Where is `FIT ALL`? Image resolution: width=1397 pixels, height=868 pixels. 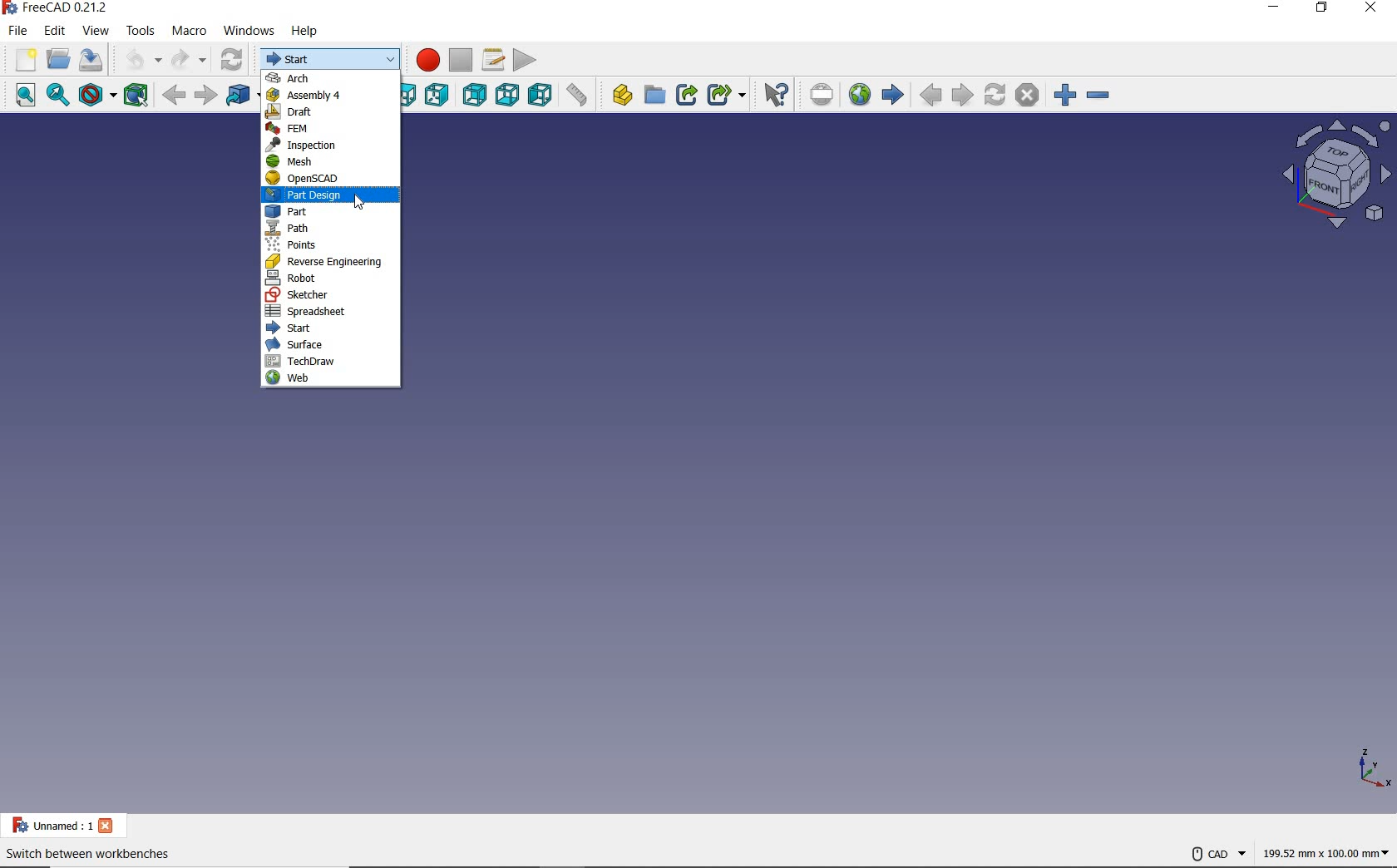 FIT ALL is located at coordinates (18, 96).